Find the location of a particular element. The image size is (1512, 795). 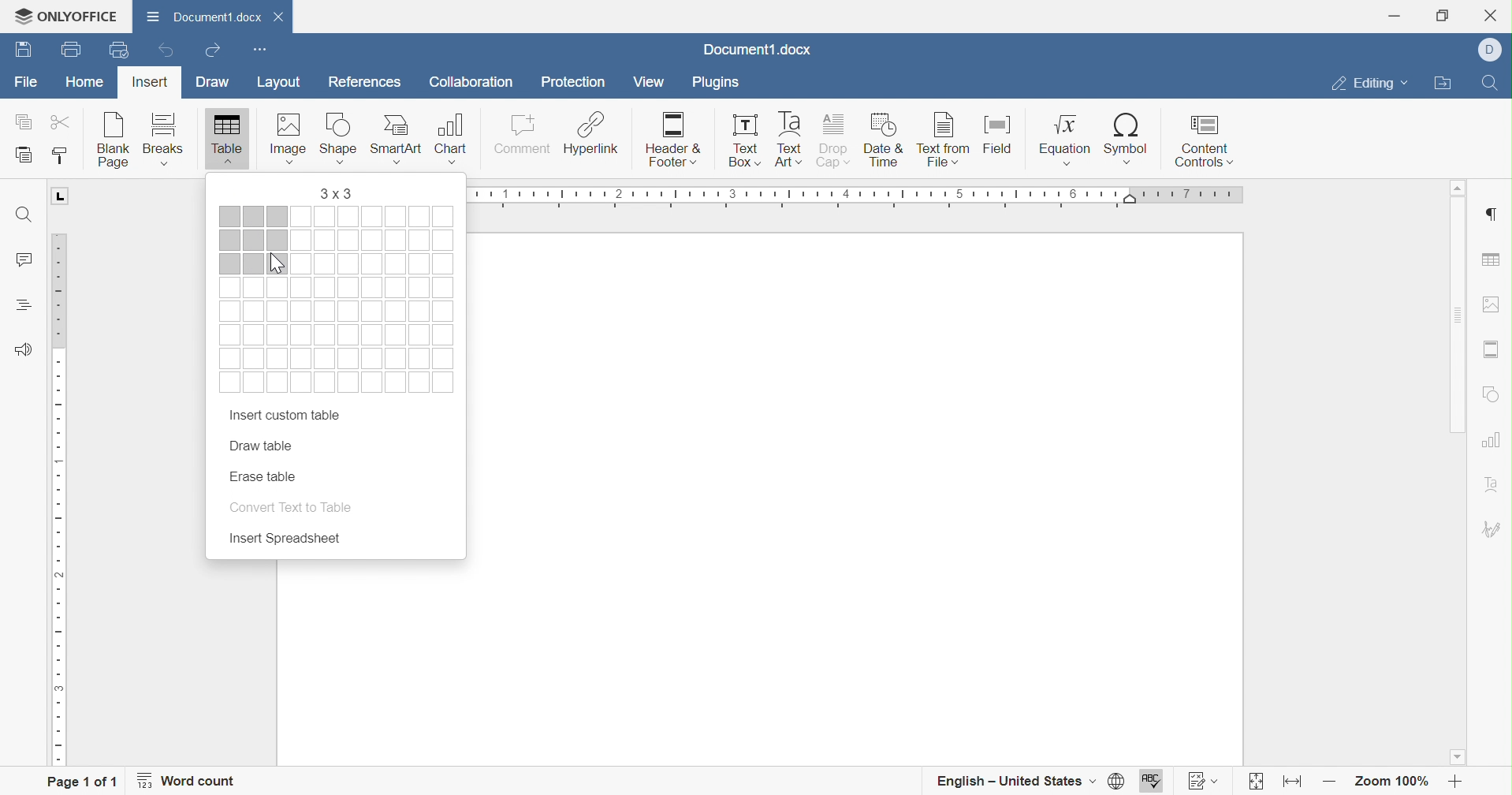

Cursor is located at coordinates (275, 263).